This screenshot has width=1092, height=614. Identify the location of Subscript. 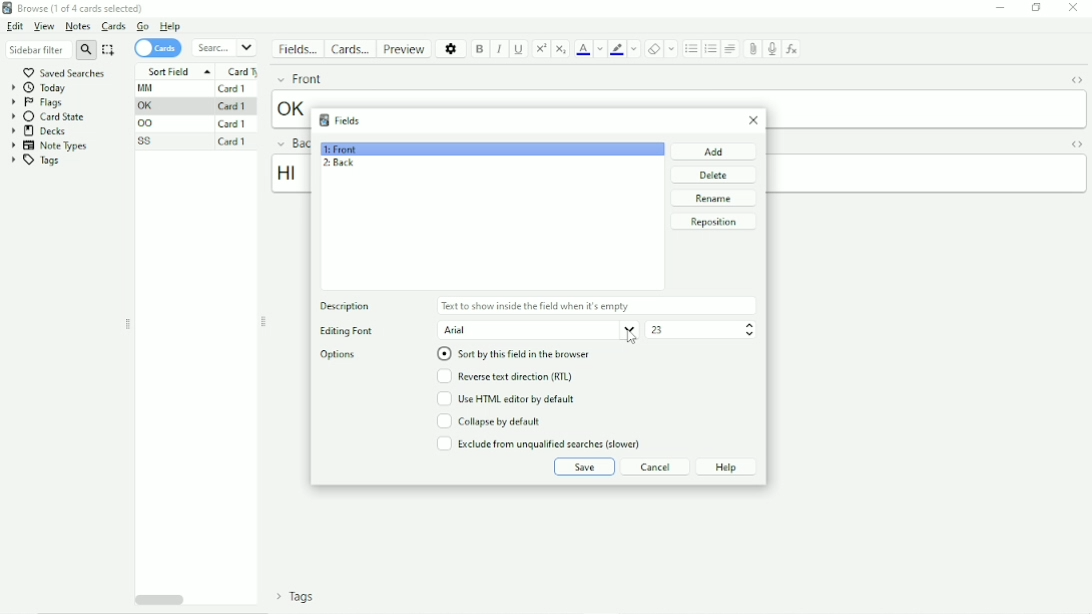
(561, 48).